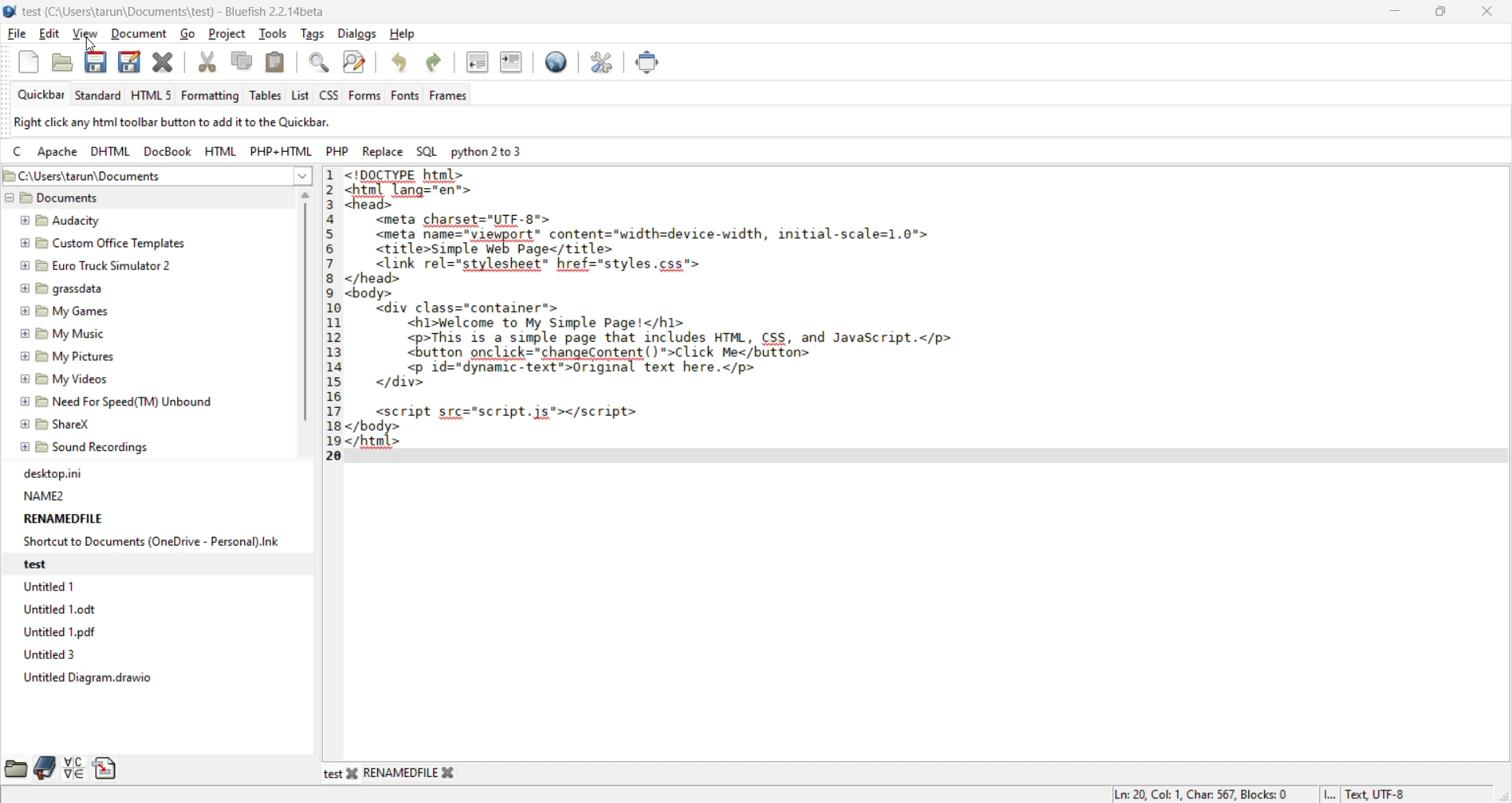 This screenshot has width=1512, height=803. Describe the element at coordinates (151, 96) in the screenshot. I see `html 5` at that location.